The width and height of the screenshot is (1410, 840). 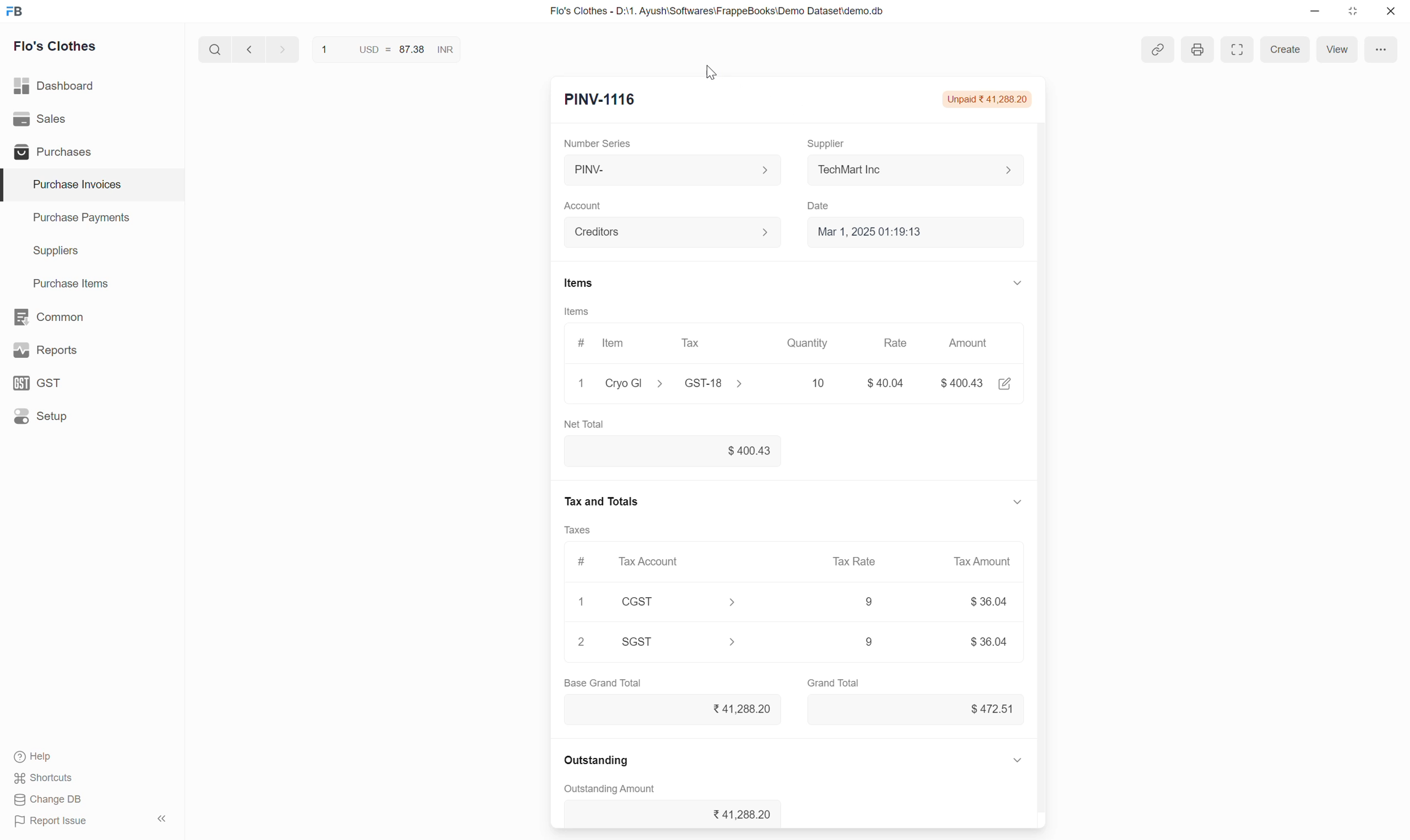 I want to click on Quantity, so click(x=815, y=343).